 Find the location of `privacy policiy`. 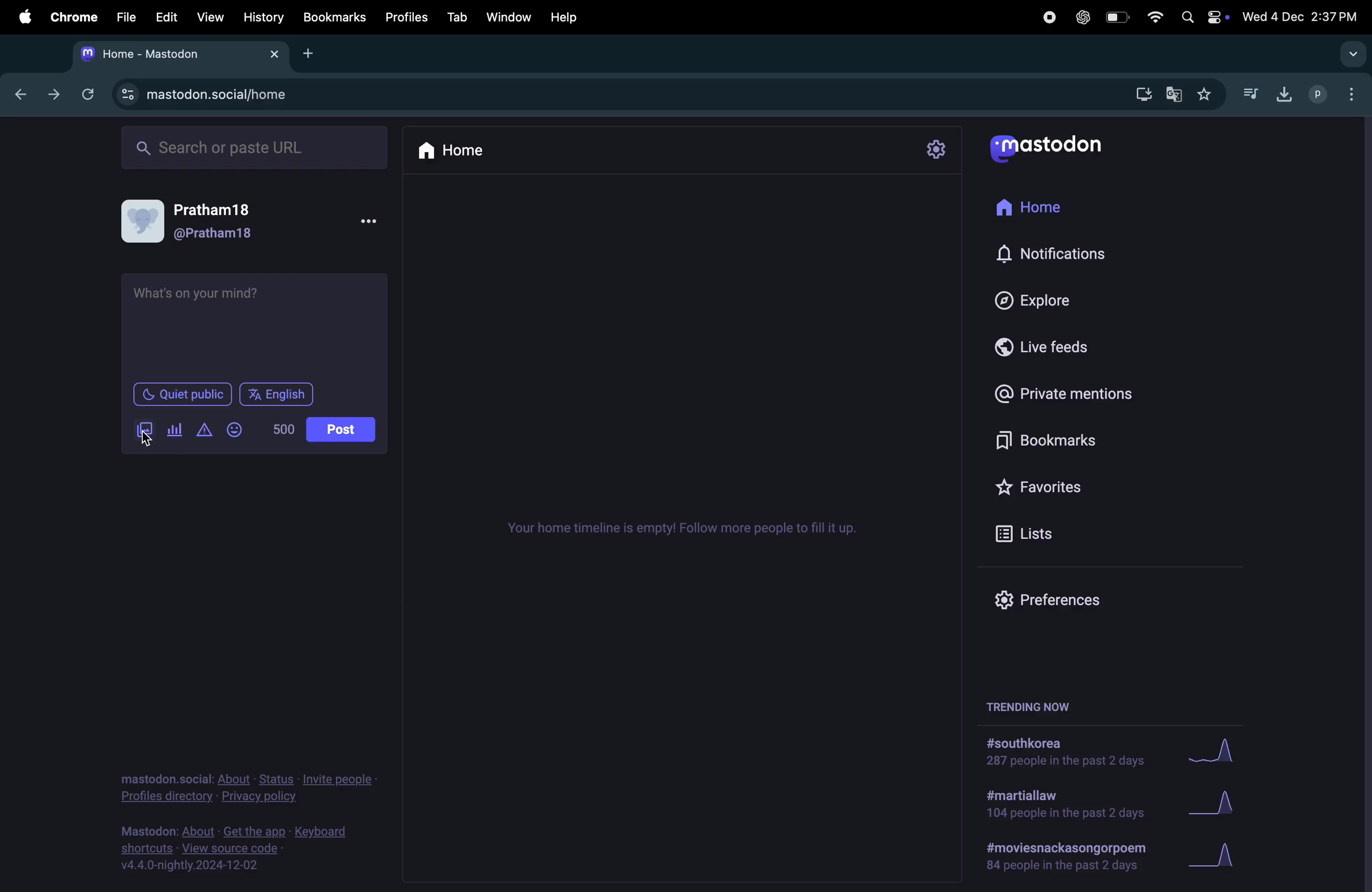

privacy policiy is located at coordinates (250, 785).